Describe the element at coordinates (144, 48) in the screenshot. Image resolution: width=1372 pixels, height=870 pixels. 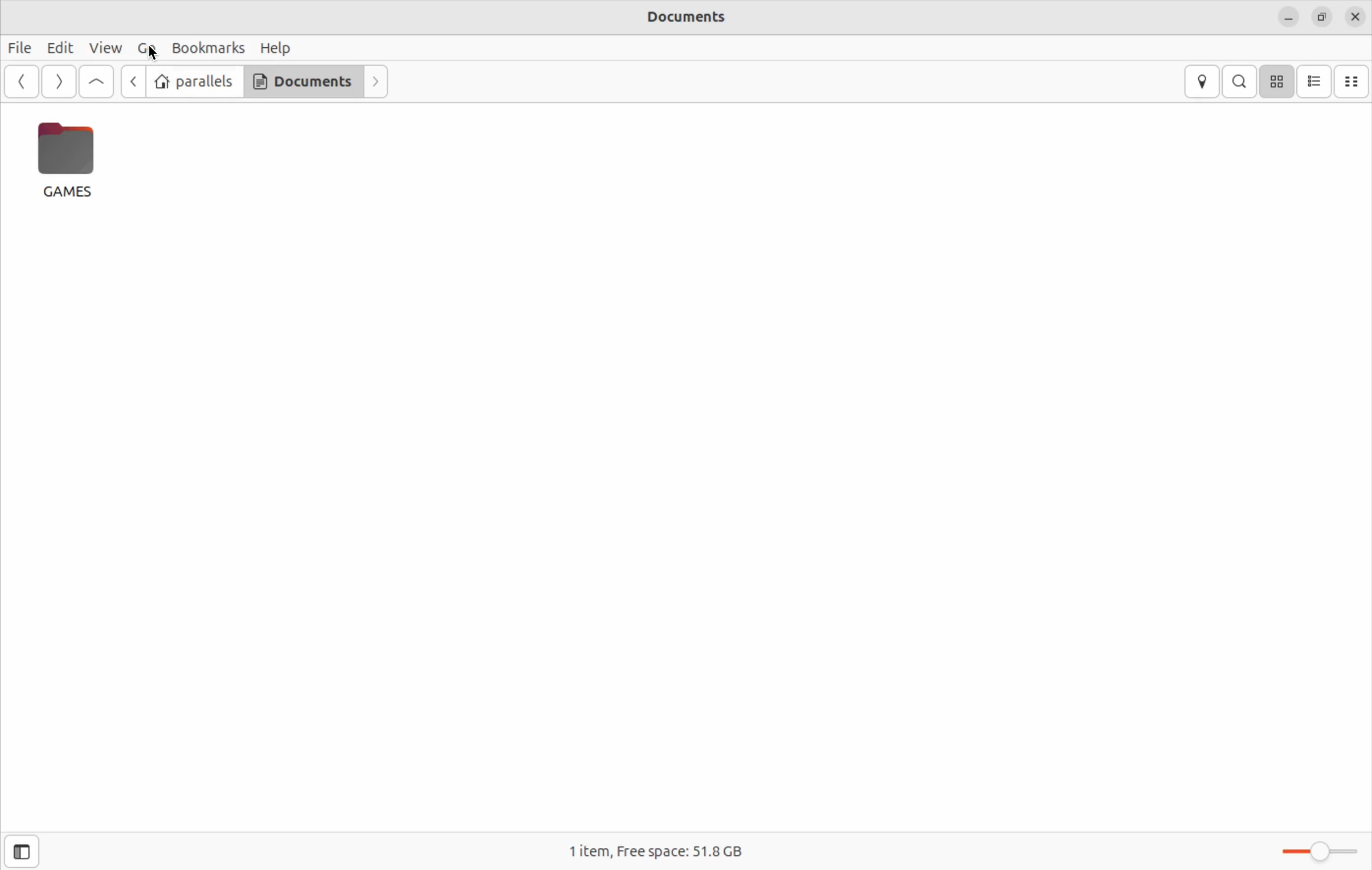
I see `Go` at that location.